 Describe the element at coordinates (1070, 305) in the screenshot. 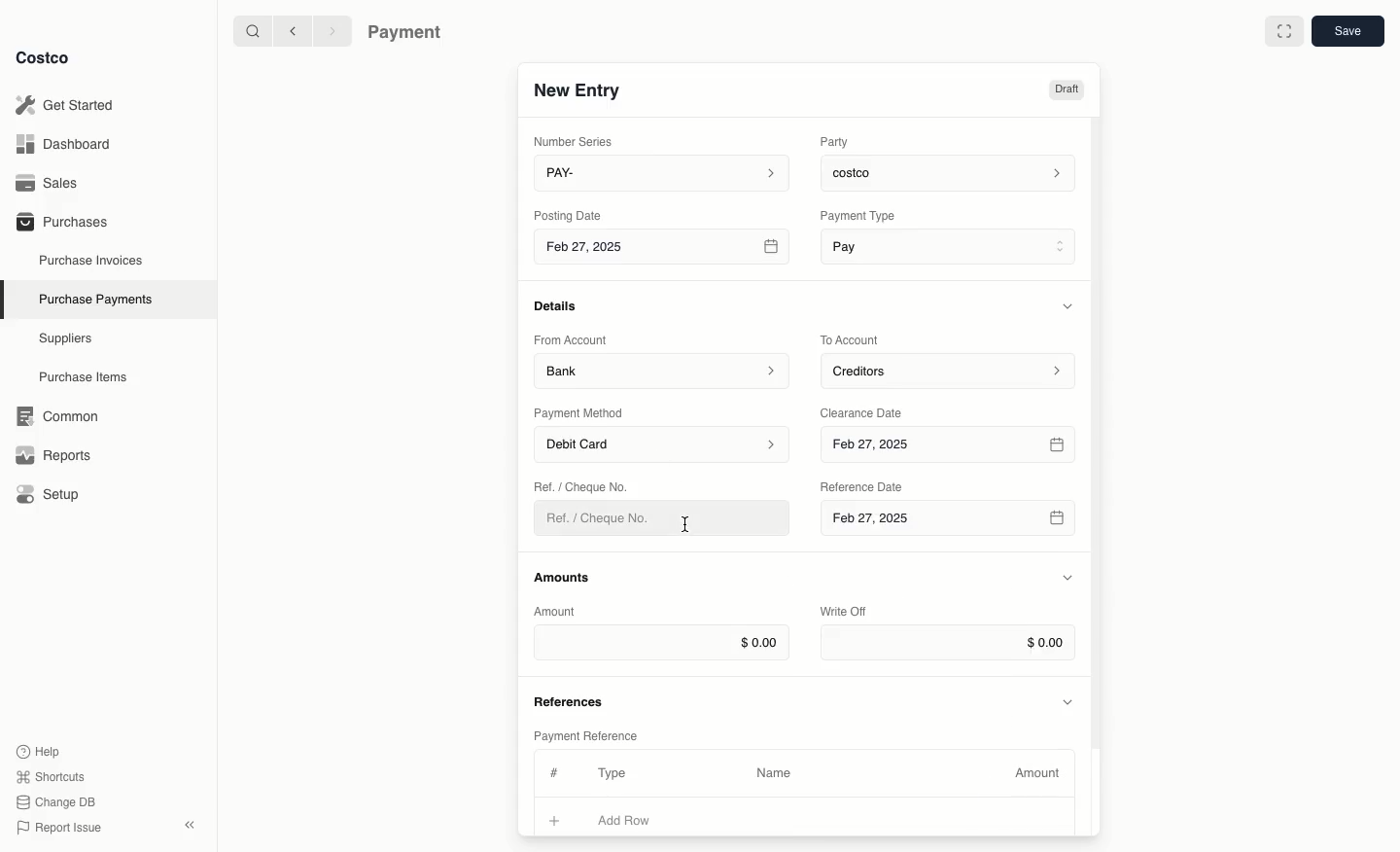

I see `Hide` at that location.